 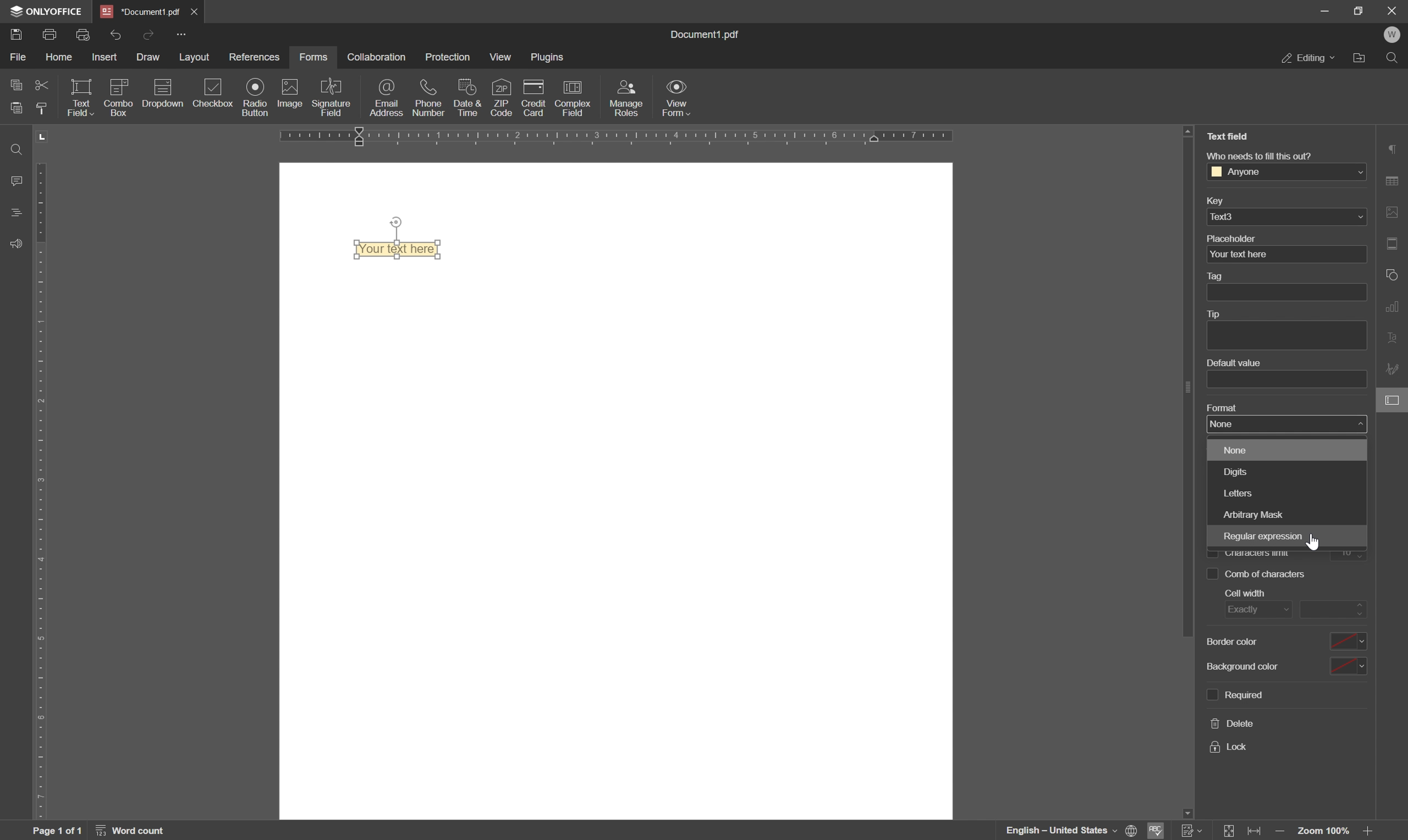 I want to click on characters limit, so click(x=1257, y=554).